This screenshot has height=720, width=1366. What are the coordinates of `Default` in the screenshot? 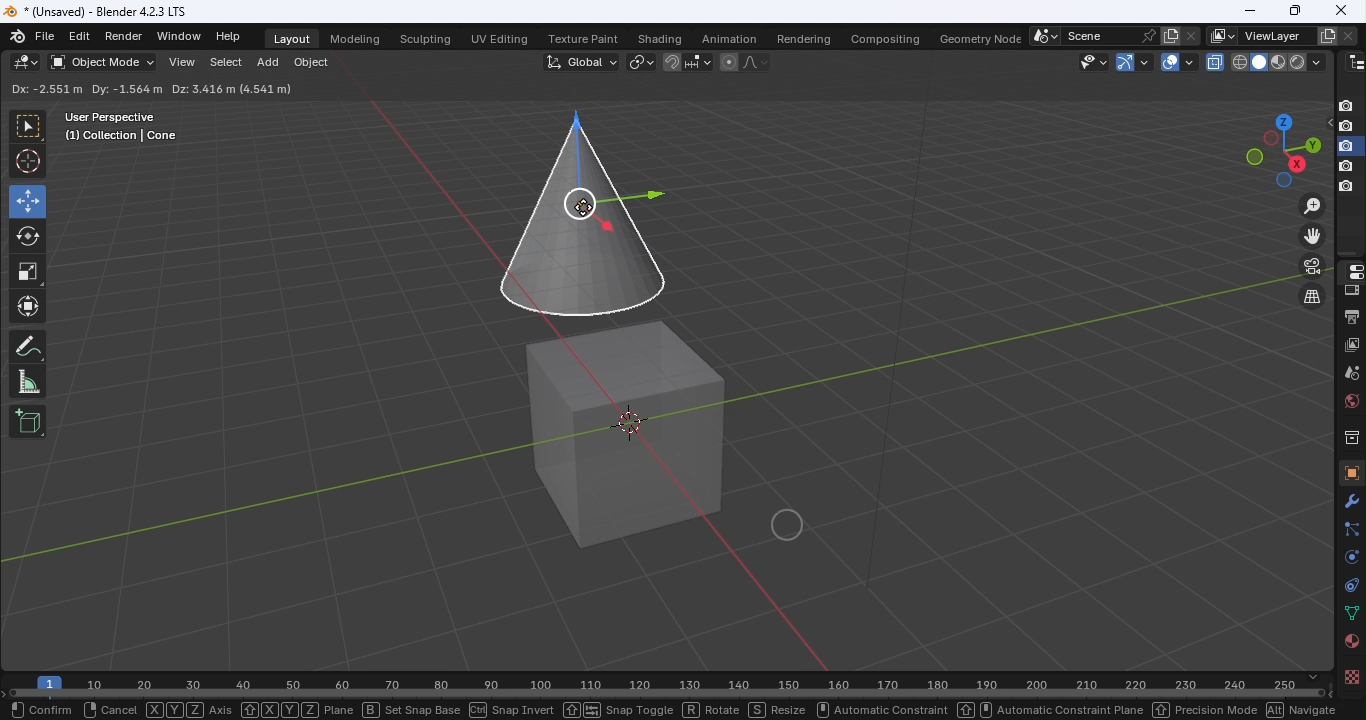 It's located at (126, 88).